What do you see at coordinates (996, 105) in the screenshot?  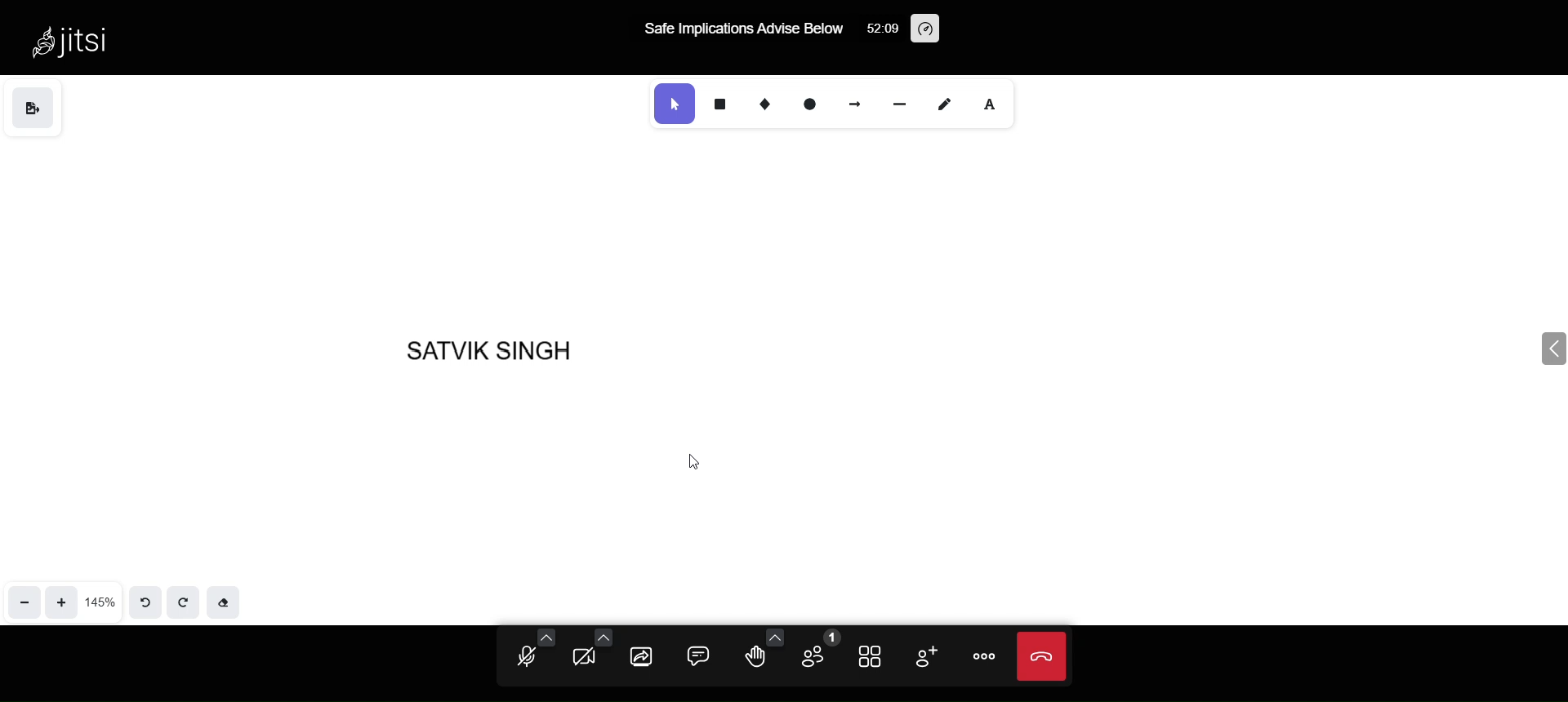 I see `font` at bounding box center [996, 105].